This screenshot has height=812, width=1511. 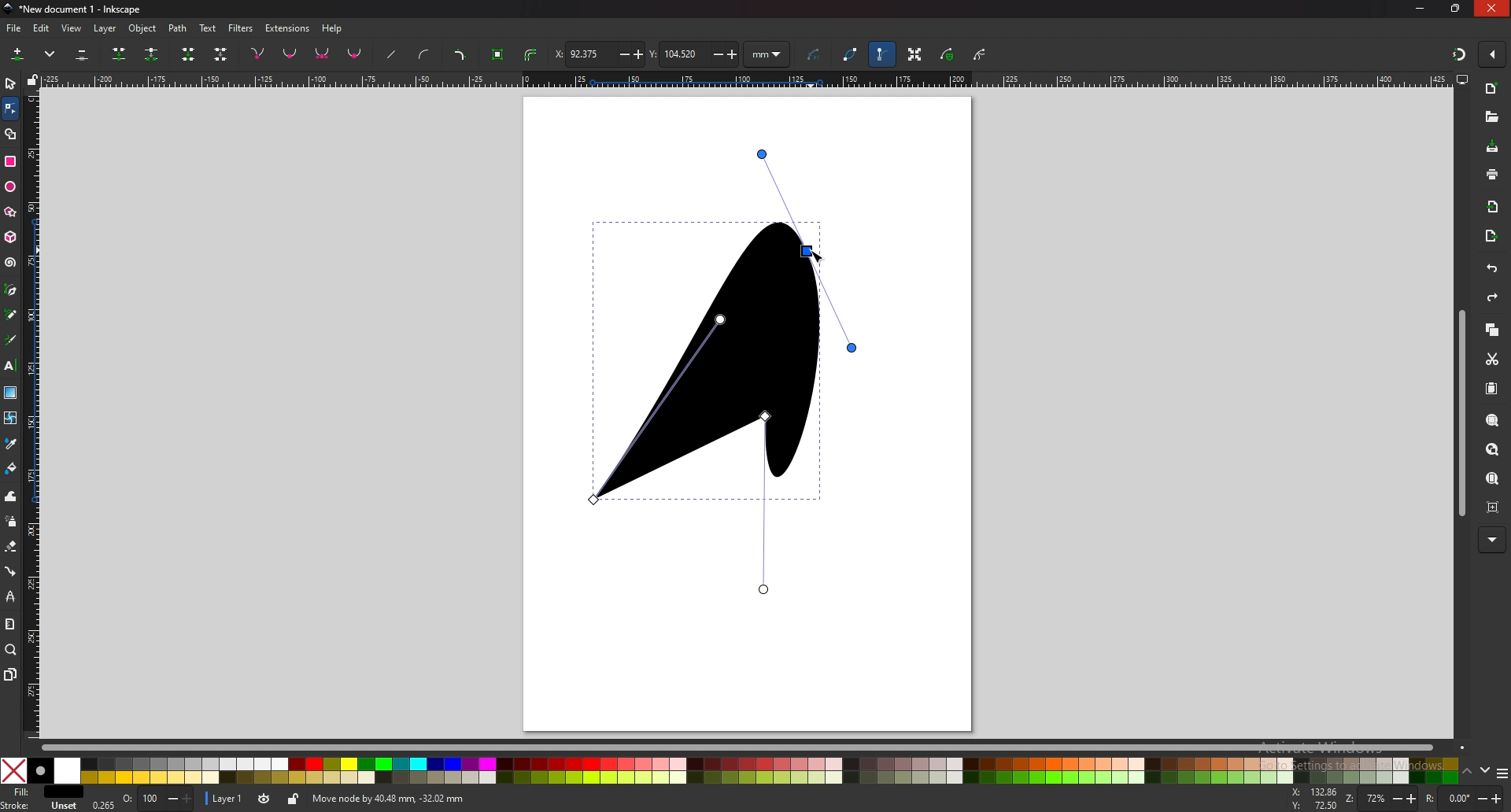 What do you see at coordinates (288, 29) in the screenshot?
I see `extensions` at bounding box center [288, 29].